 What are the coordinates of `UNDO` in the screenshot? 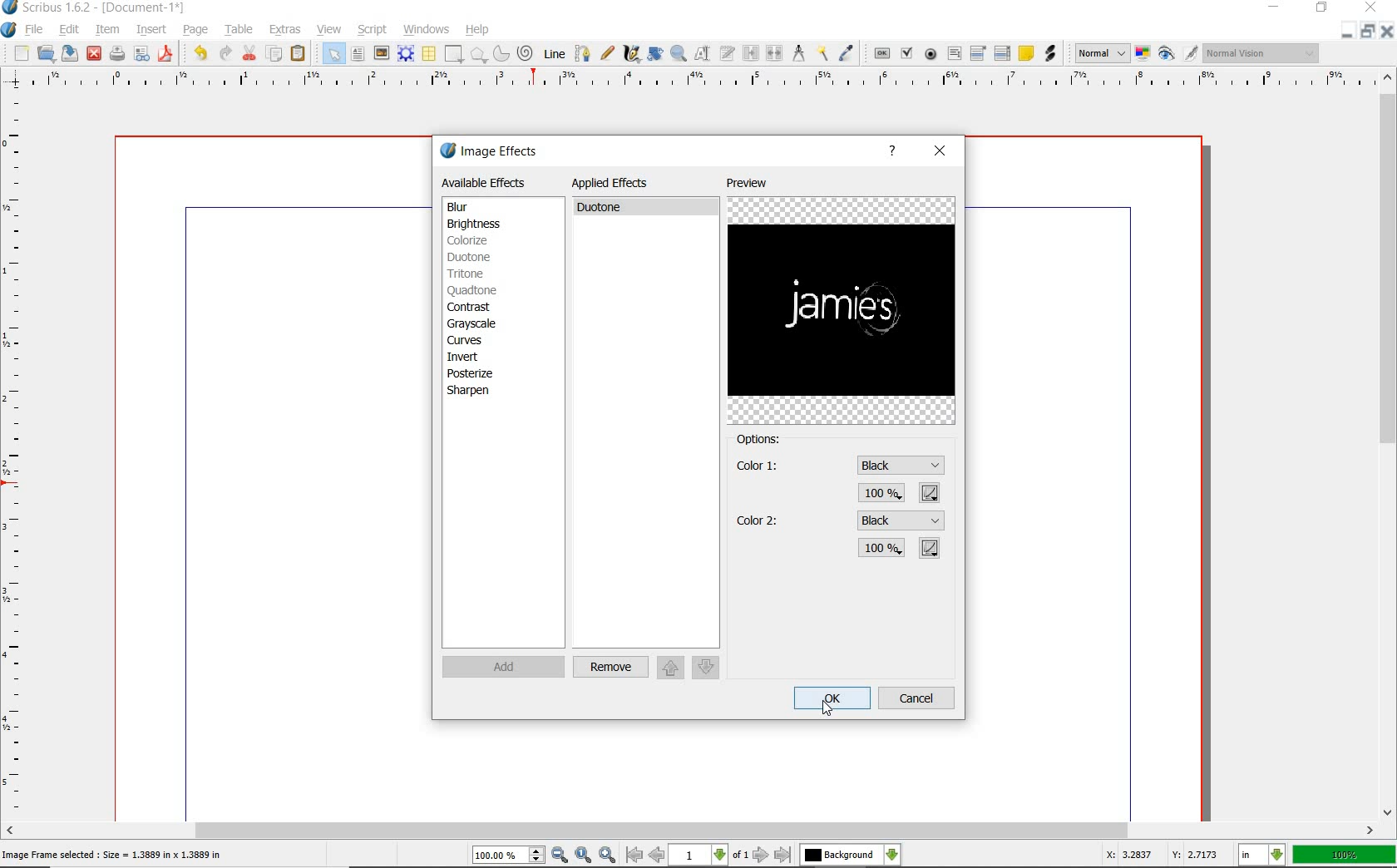 It's located at (224, 54).